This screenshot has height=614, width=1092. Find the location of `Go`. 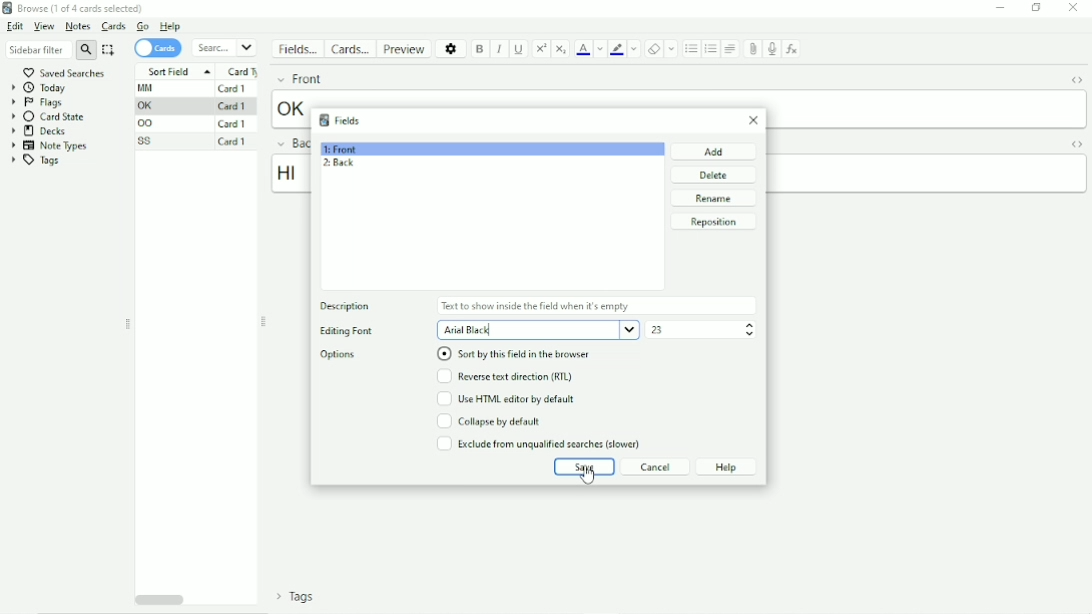

Go is located at coordinates (143, 26).